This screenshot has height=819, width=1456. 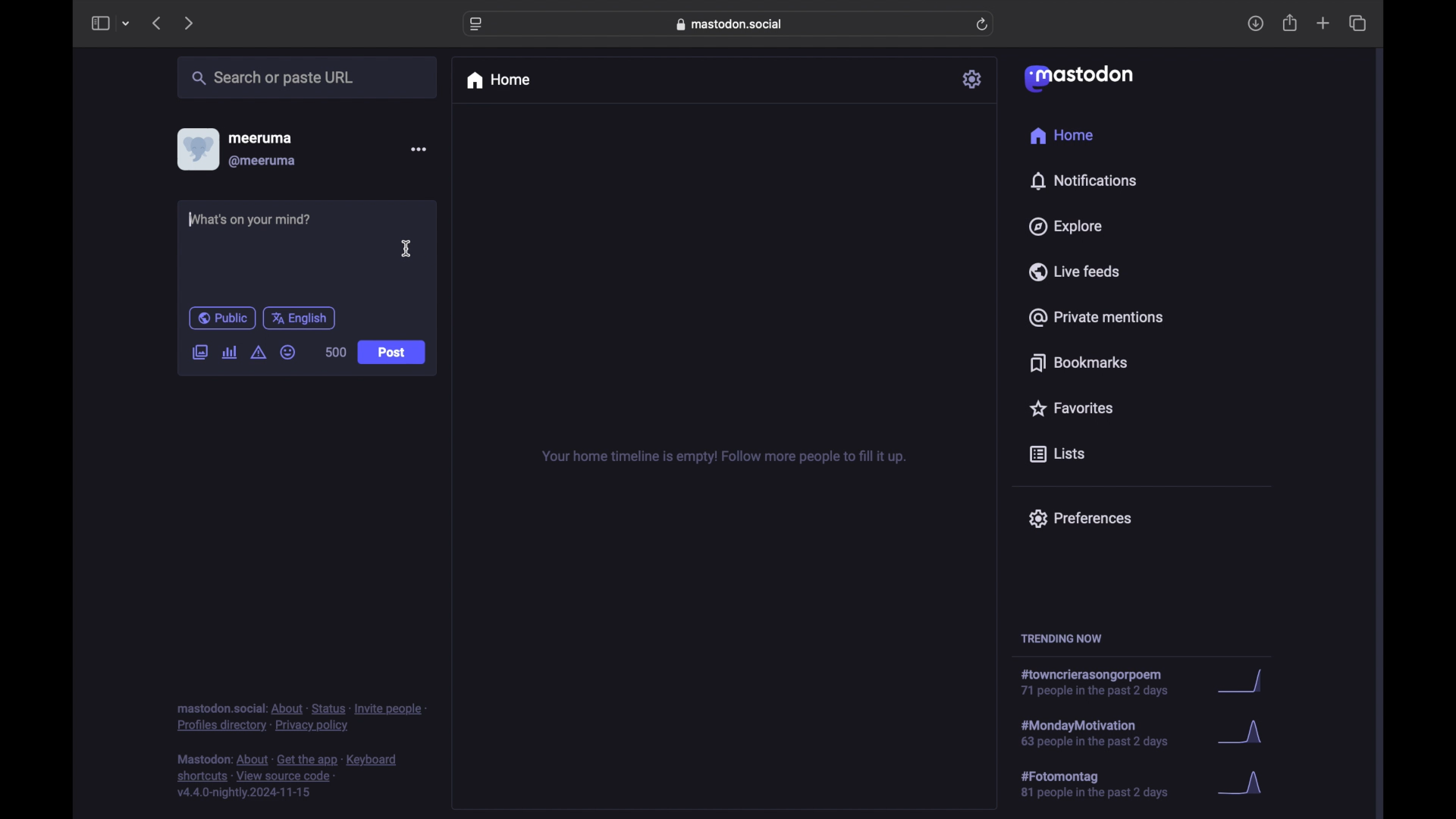 What do you see at coordinates (1245, 784) in the screenshot?
I see `graph` at bounding box center [1245, 784].